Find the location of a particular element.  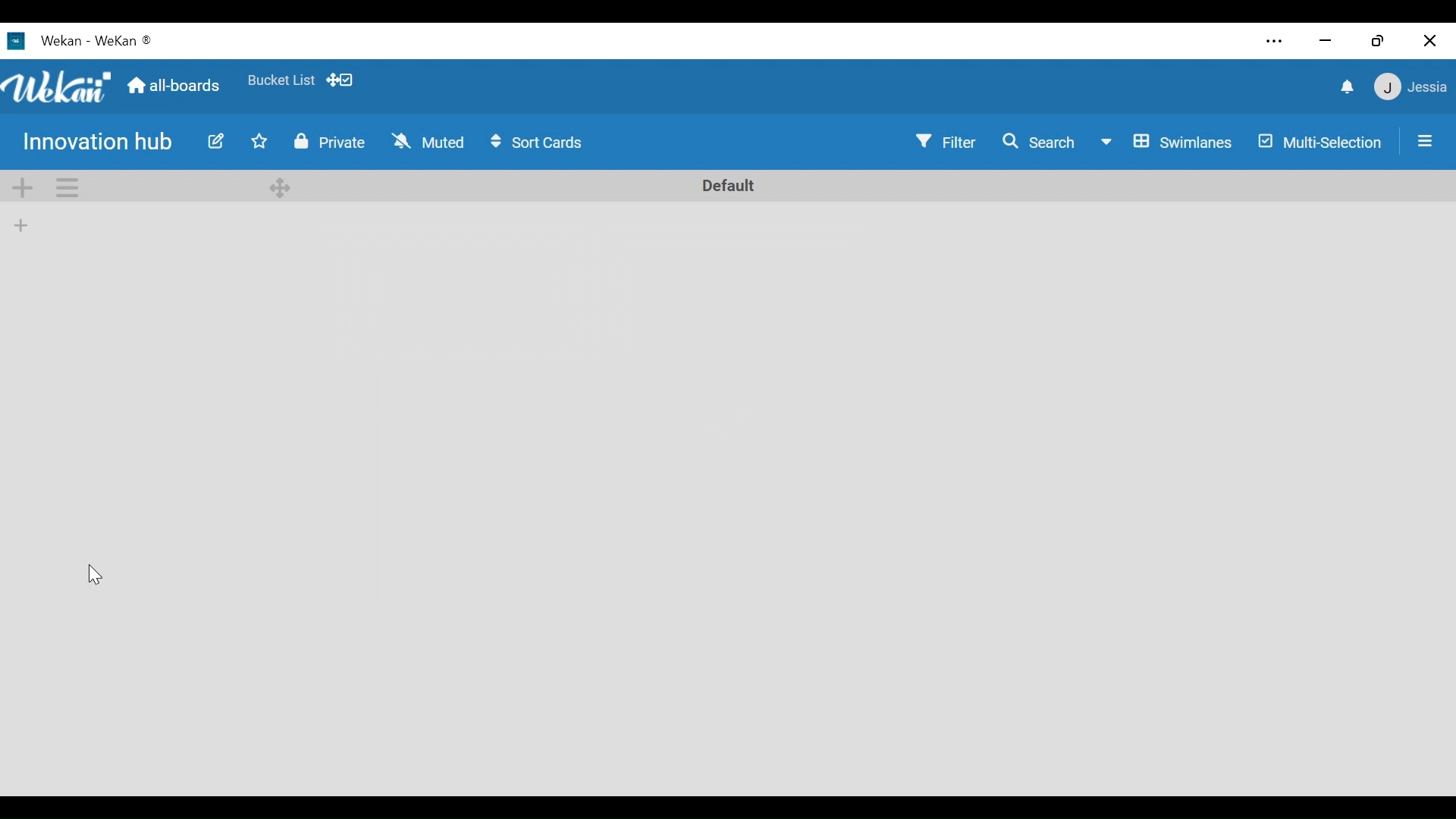

Toggle favorites is located at coordinates (260, 142).